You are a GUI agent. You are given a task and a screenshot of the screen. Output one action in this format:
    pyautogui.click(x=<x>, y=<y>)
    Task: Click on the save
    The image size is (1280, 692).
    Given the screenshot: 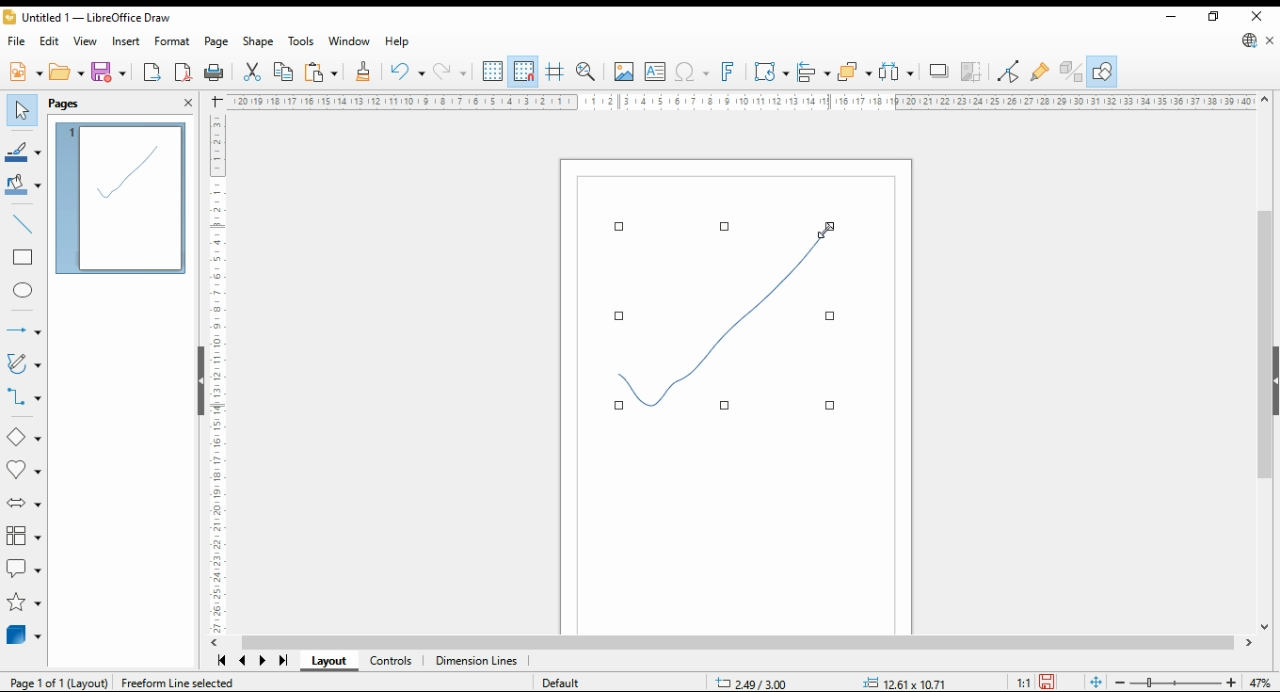 What is the action you would take?
    pyautogui.click(x=110, y=73)
    